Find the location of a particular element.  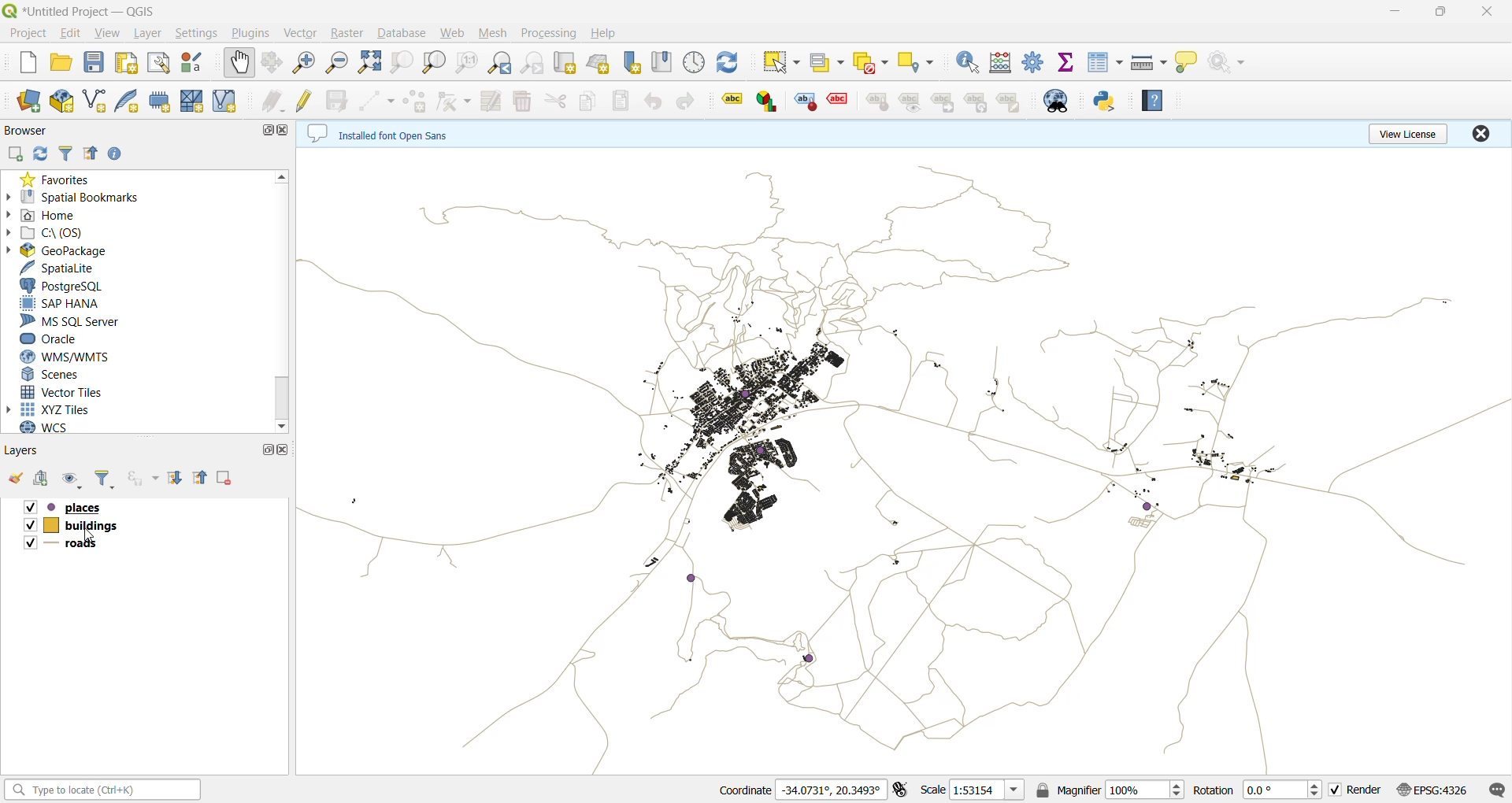

vector tiles is located at coordinates (62, 391).